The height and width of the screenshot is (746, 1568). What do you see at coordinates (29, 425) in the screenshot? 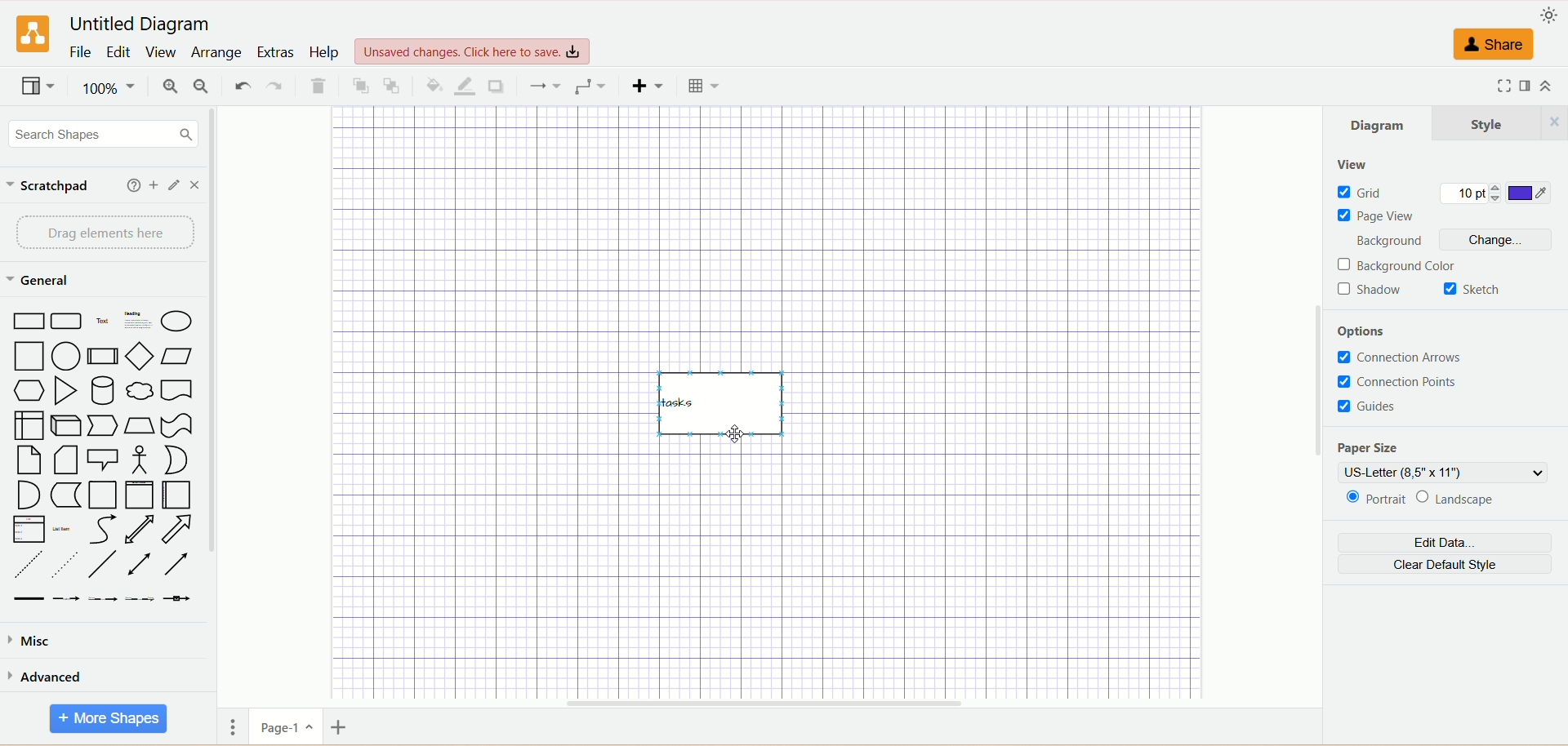
I see `Box` at bounding box center [29, 425].